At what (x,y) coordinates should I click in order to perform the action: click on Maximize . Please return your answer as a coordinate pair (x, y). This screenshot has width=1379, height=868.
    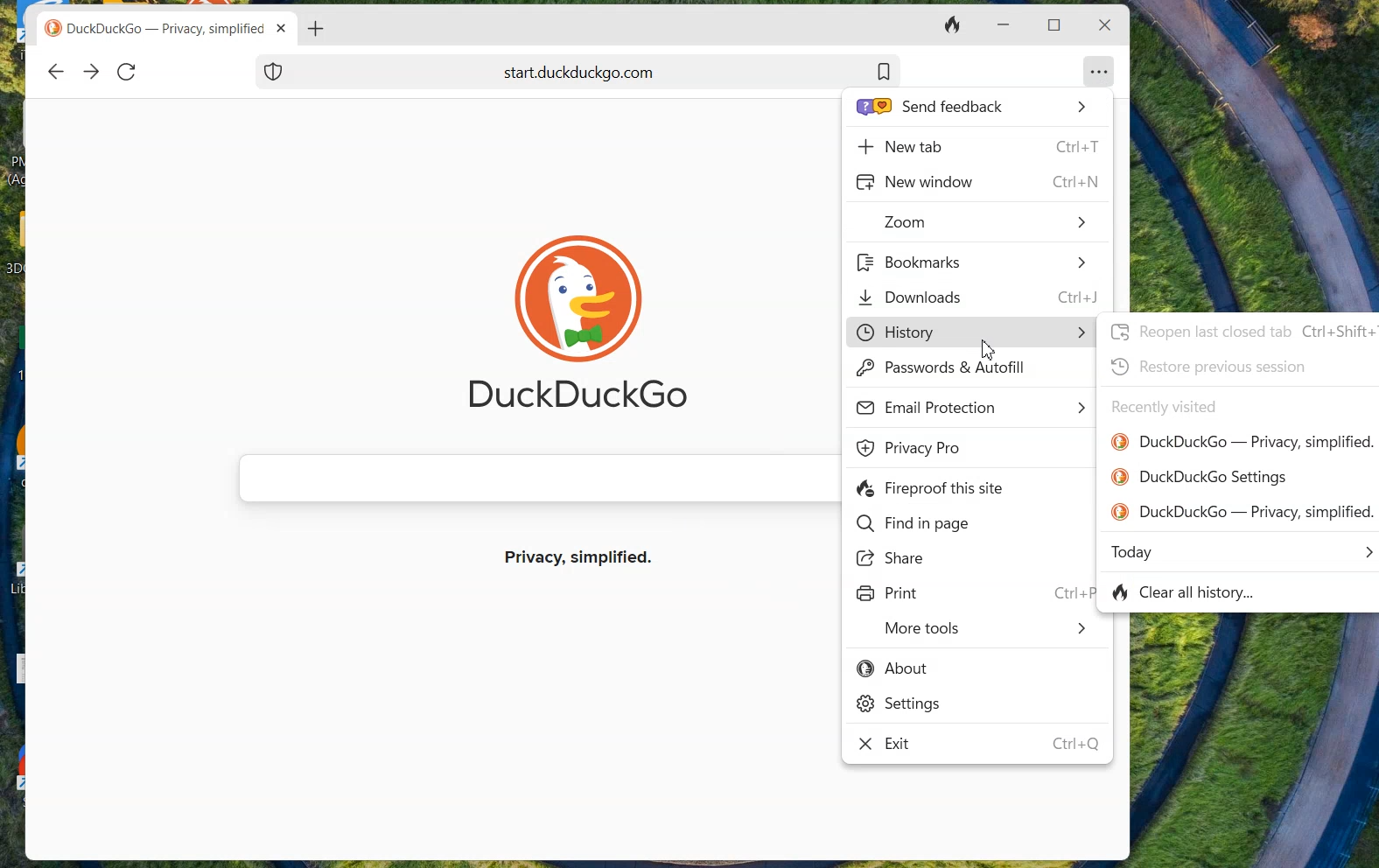
    Looking at the image, I should click on (1057, 24).